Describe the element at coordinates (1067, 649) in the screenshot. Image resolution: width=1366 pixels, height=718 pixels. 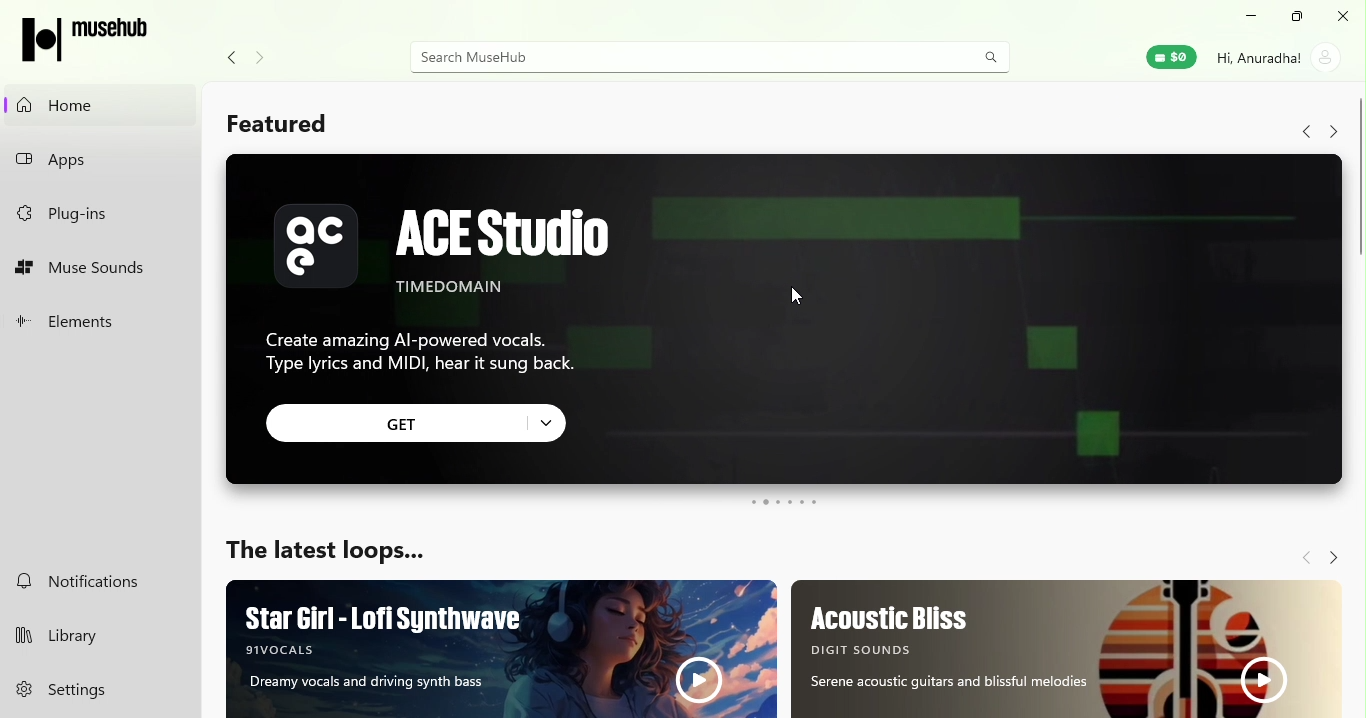
I see `Ad` at that location.